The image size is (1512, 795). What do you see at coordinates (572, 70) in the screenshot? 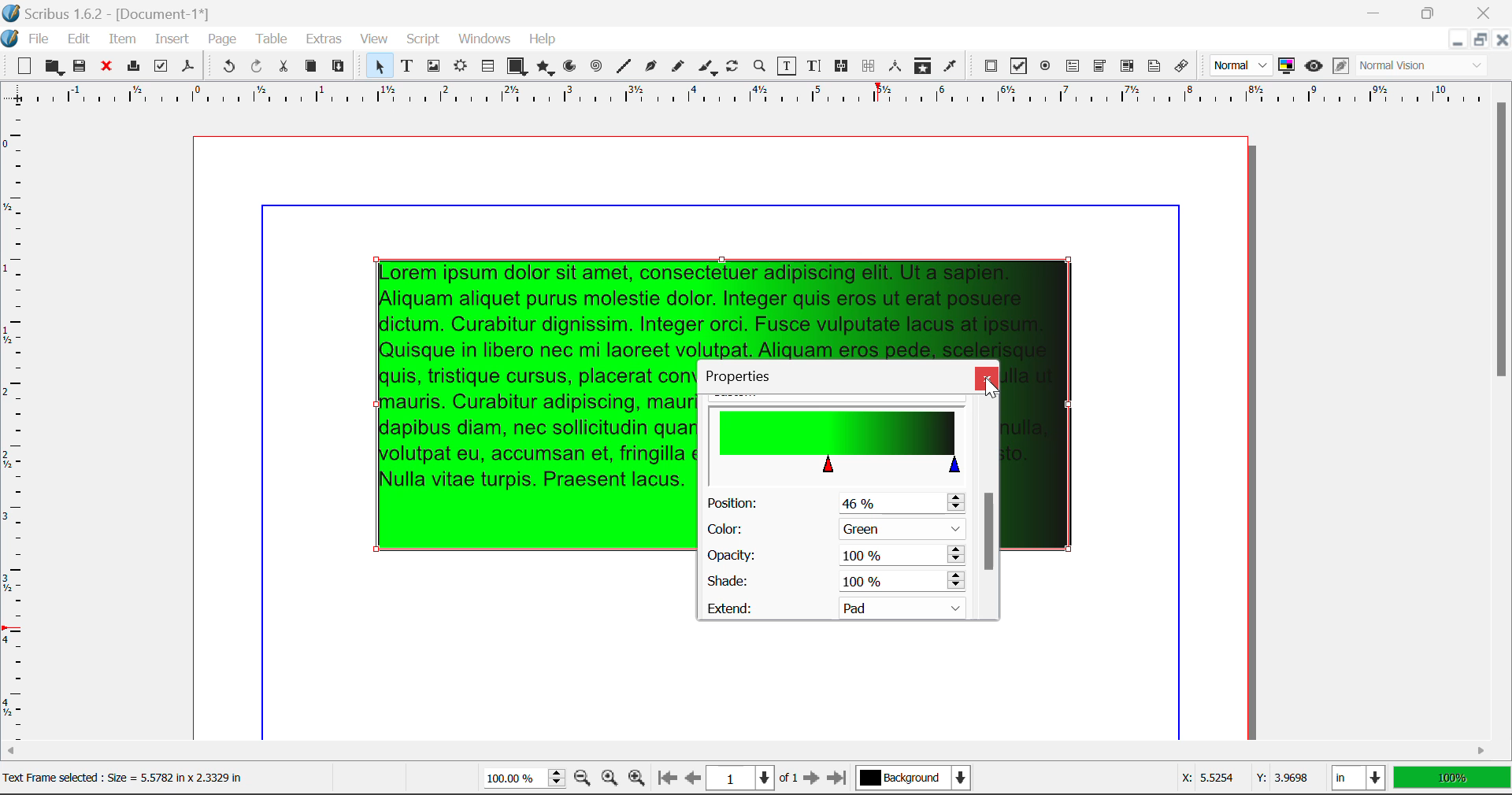
I see `Arcs` at bounding box center [572, 70].